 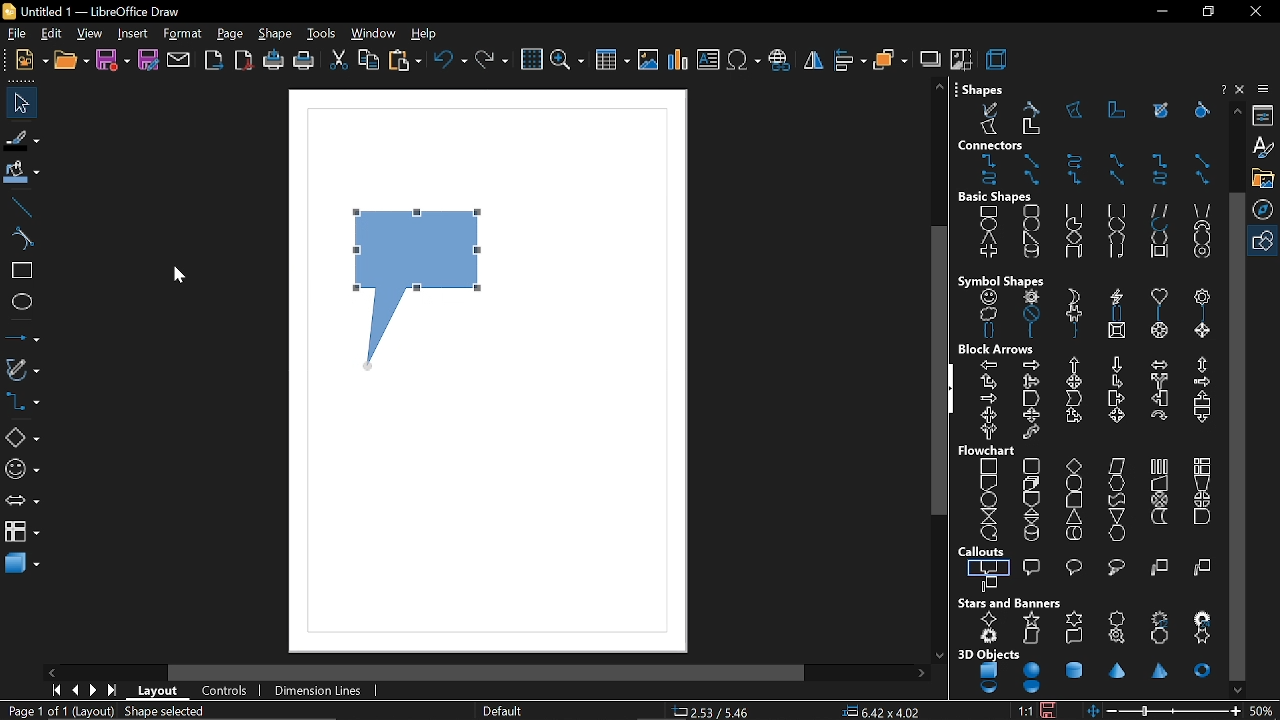 I want to click on insert hyperlink, so click(x=779, y=61).